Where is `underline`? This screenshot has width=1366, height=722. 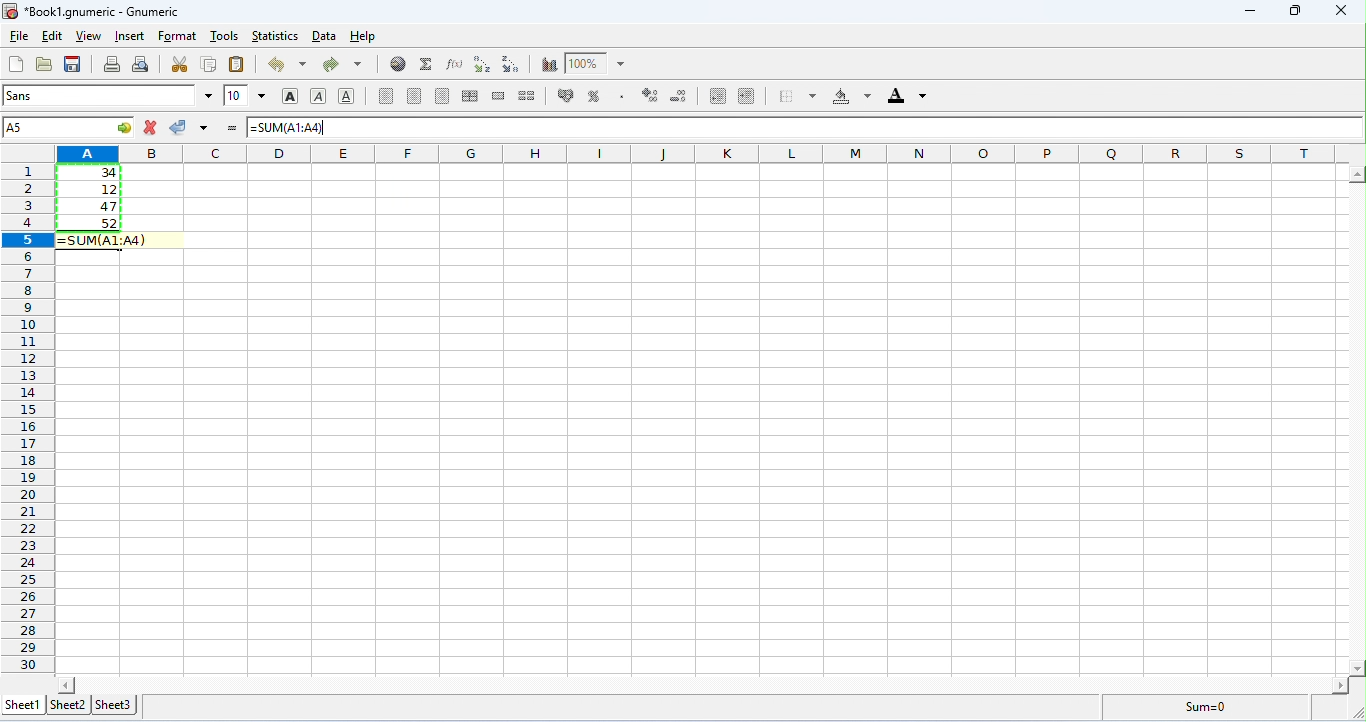
underline is located at coordinates (346, 95).